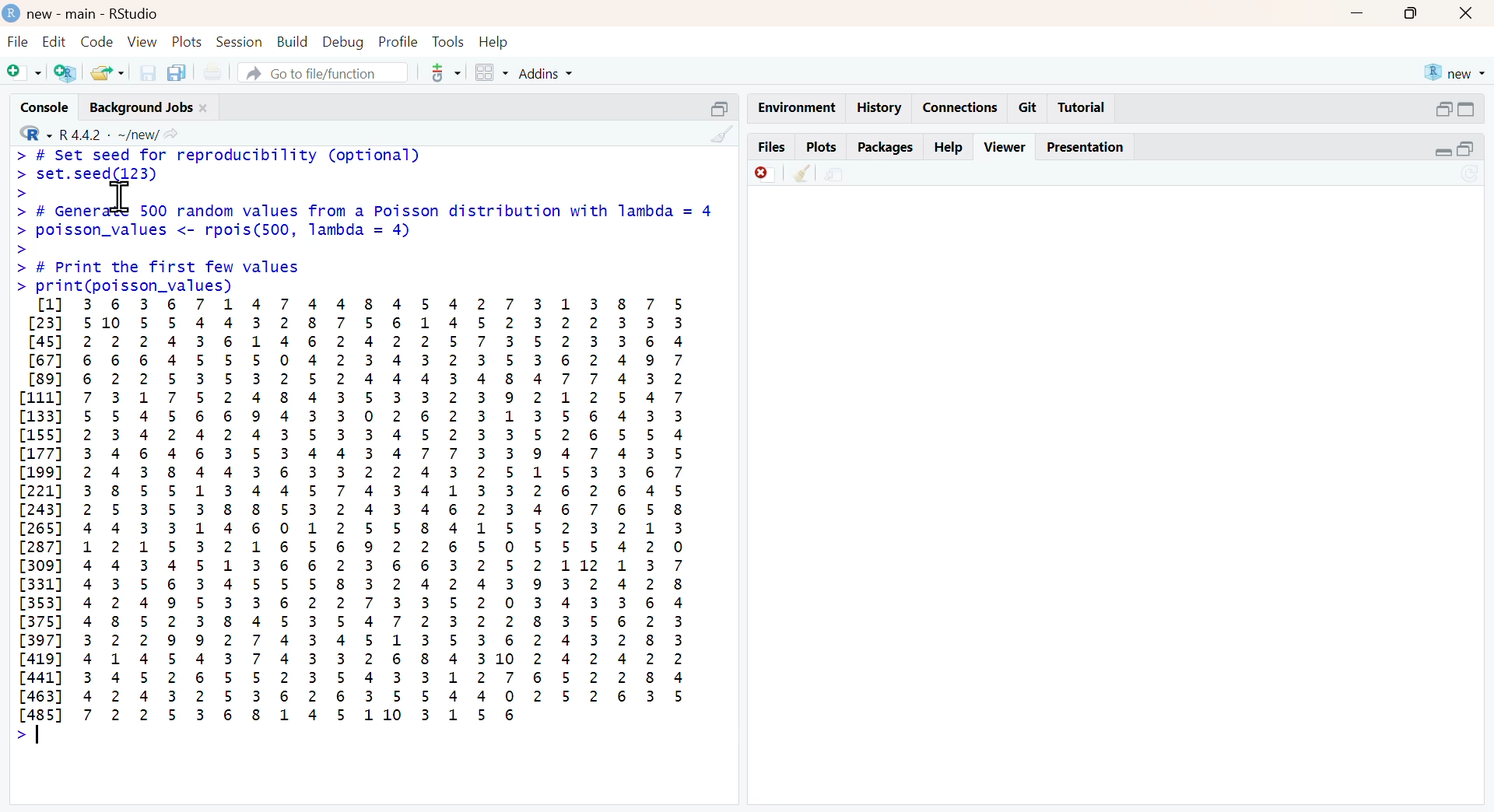 This screenshot has width=1494, height=812. What do you see at coordinates (173, 134) in the screenshot?
I see `Share icon` at bounding box center [173, 134].